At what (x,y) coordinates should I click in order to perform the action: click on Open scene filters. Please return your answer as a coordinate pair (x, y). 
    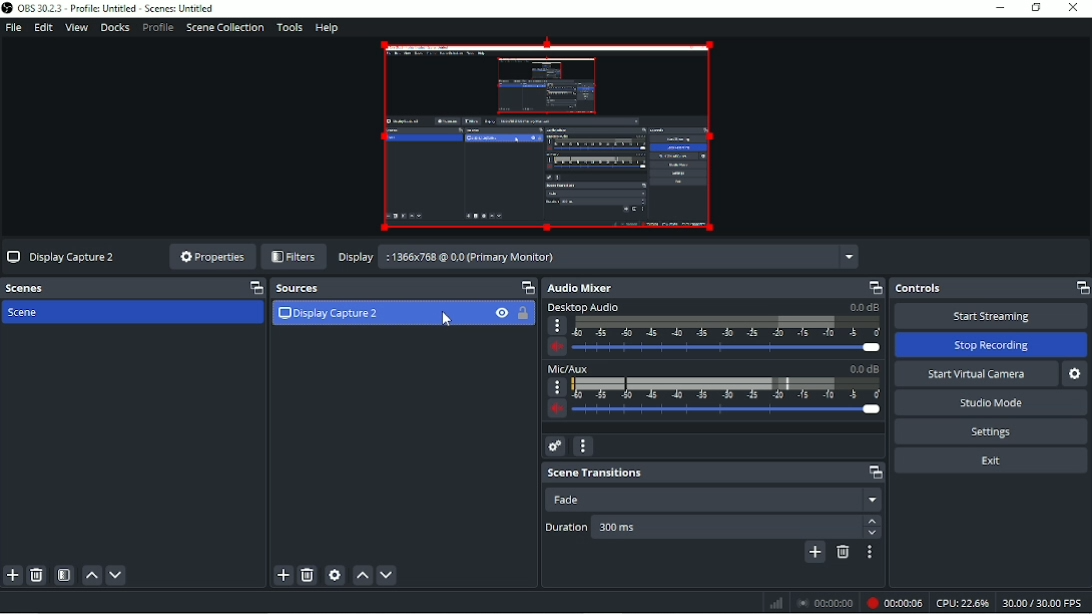
    Looking at the image, I should click on (64, 575).